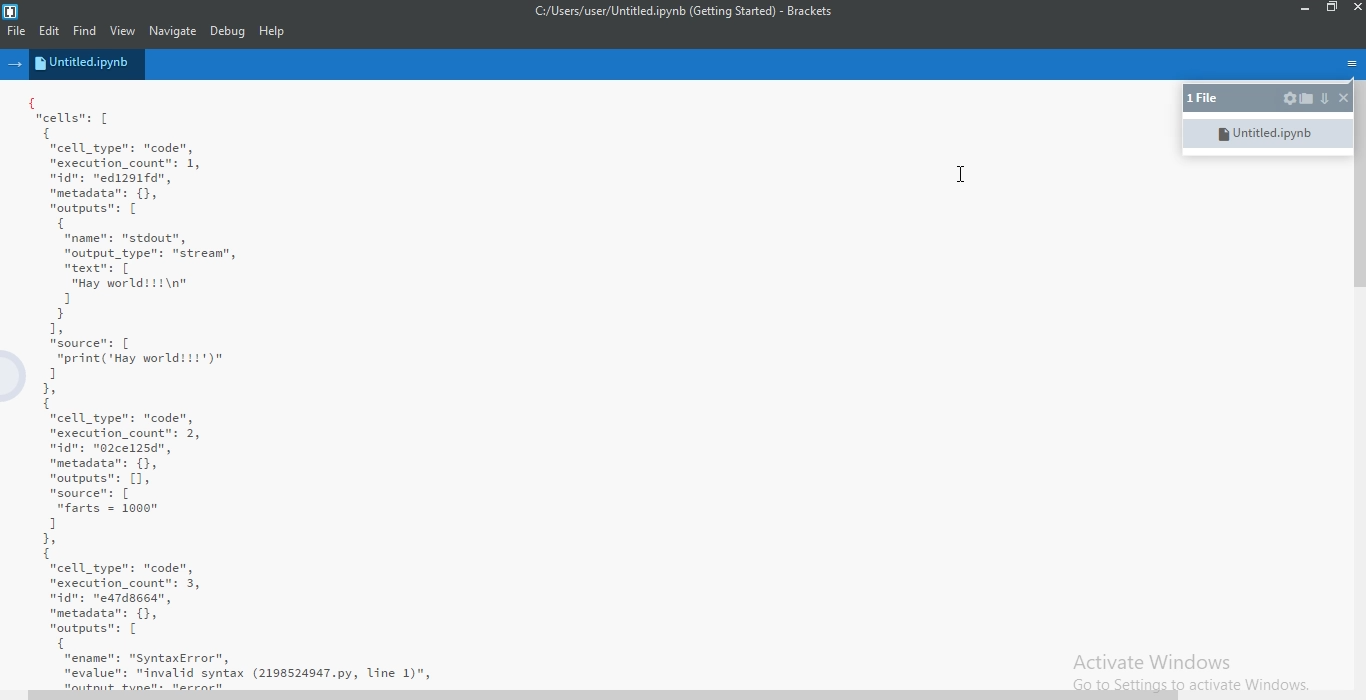 The height and width of the screenshot is (700, 1366). Describe the element at coordinates (88, 64) in the screenshot. I see `untitled.ipynb` at that location.